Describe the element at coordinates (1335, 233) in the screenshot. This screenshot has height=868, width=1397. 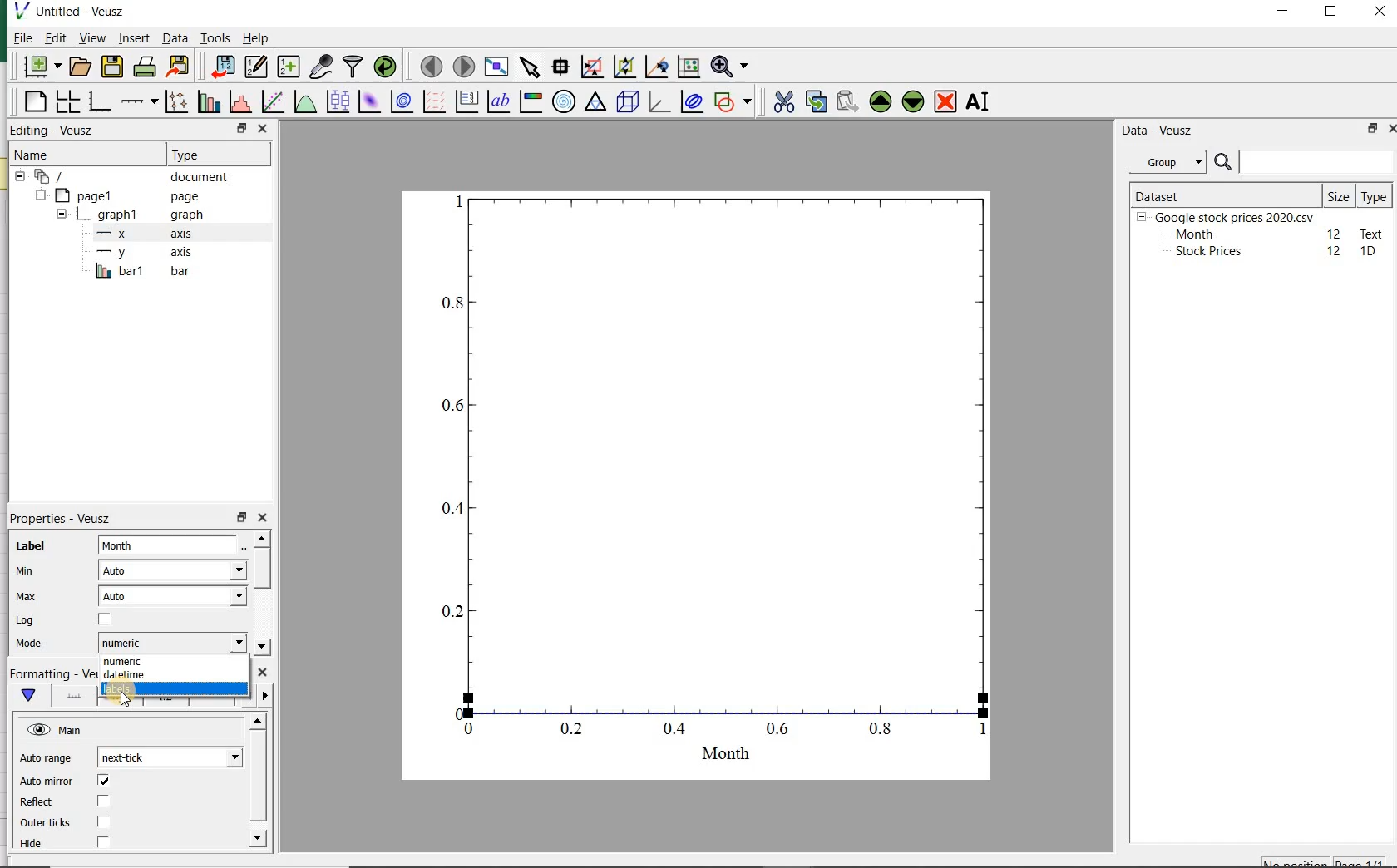
I see `12` at that location.